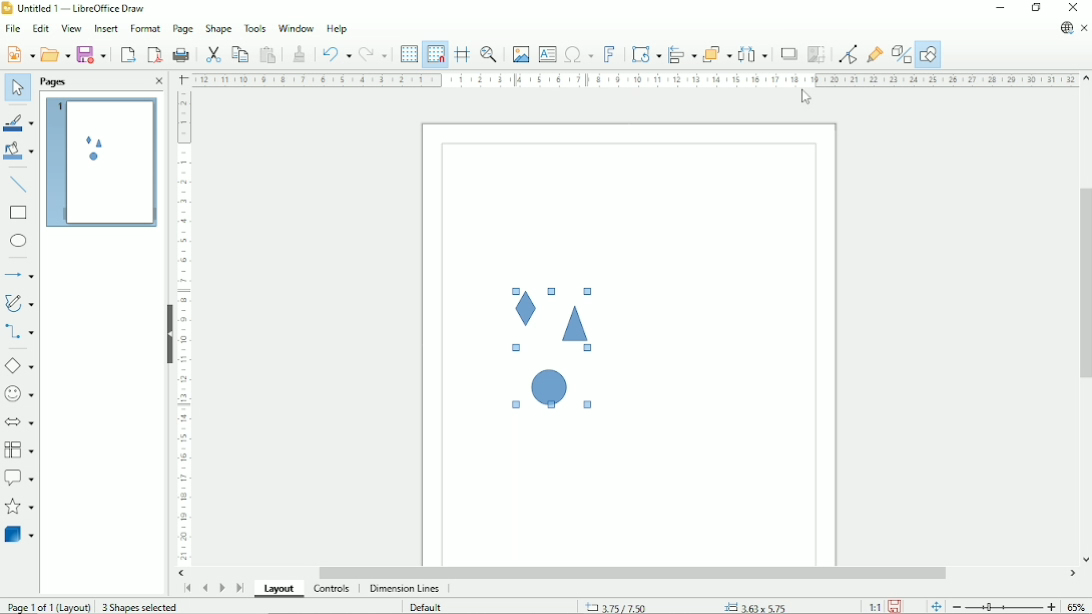 Image resolution: width=1092 pixels, height=614 pixels. What do you see at coordinates (99, 163) in the screenshot?
I see `Preview` at bounding box center [99, 163].